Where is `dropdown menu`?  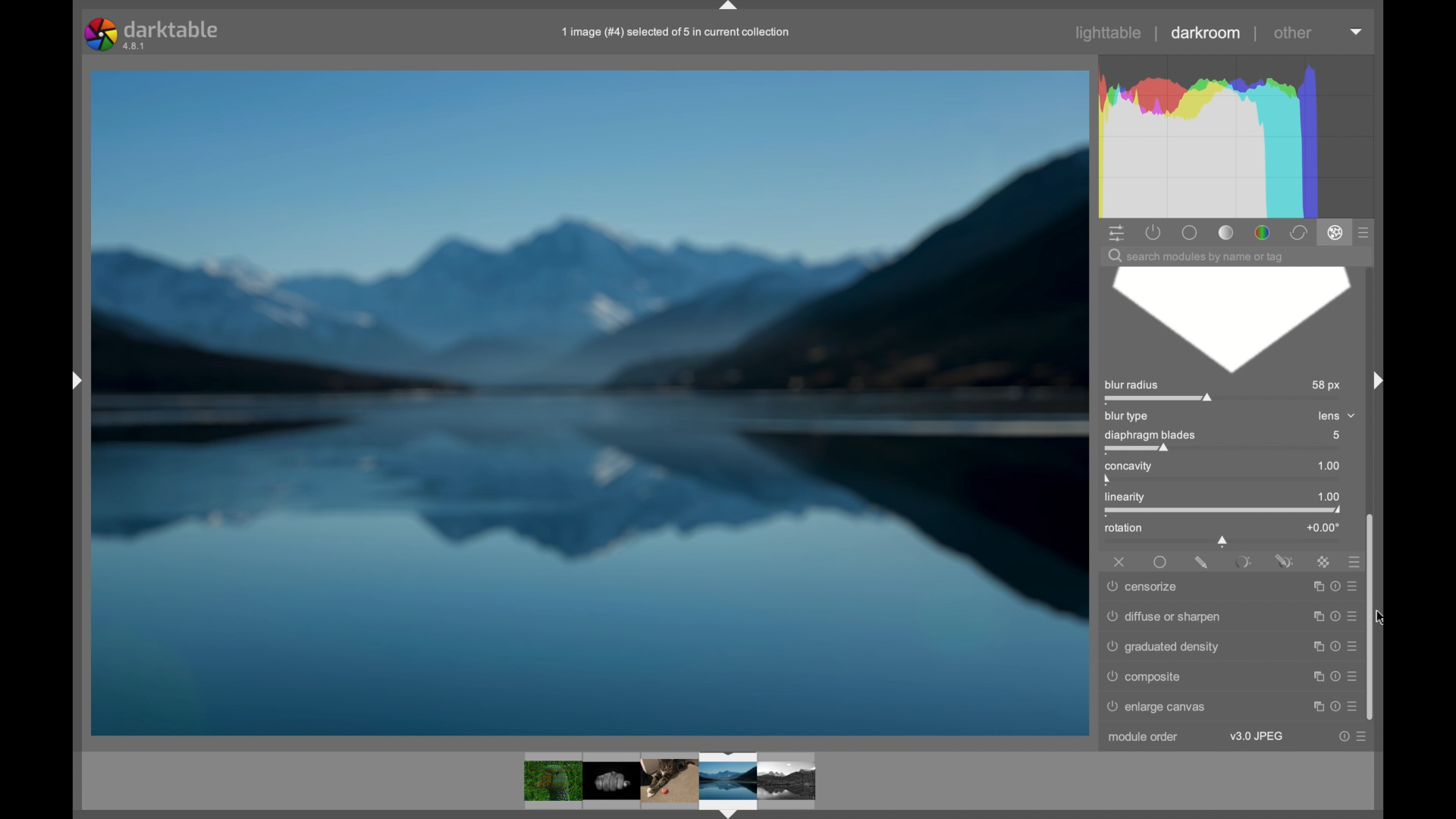 dropdown menu is located at coordinates (1357, 33).